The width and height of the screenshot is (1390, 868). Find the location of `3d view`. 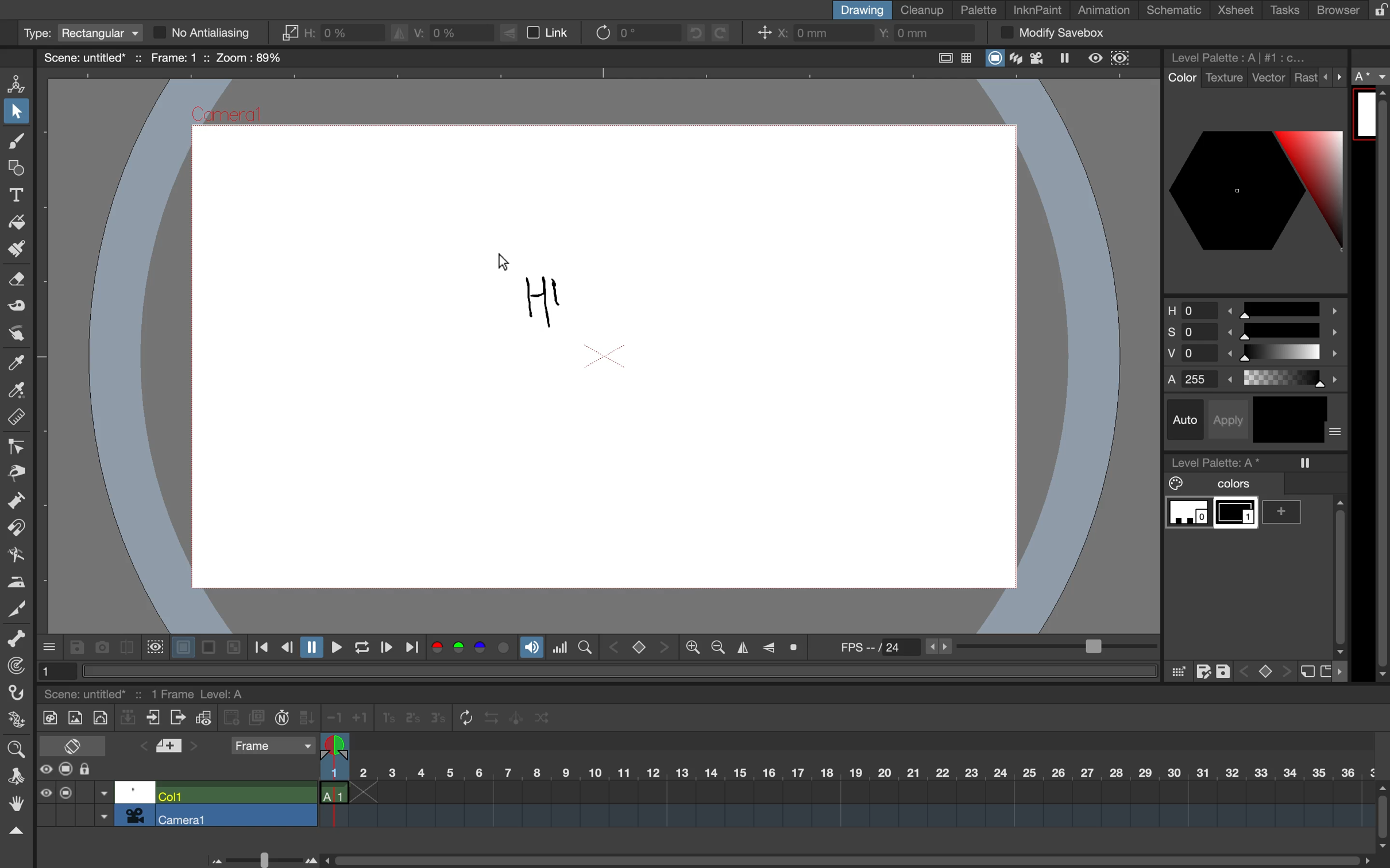

3d view is located at coordinates (1018, 59).